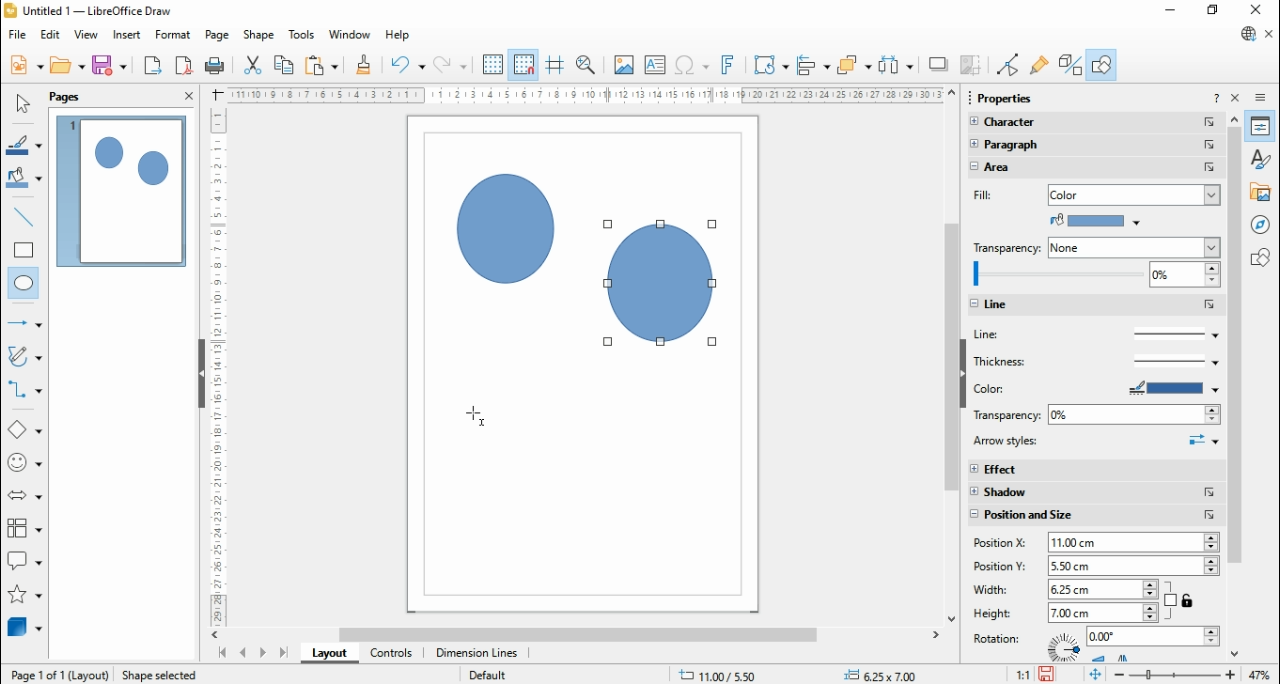 Image resolution: width=1280 pixels, height=684 pixels. I want to click on zoom slider, so click(1175, 675).